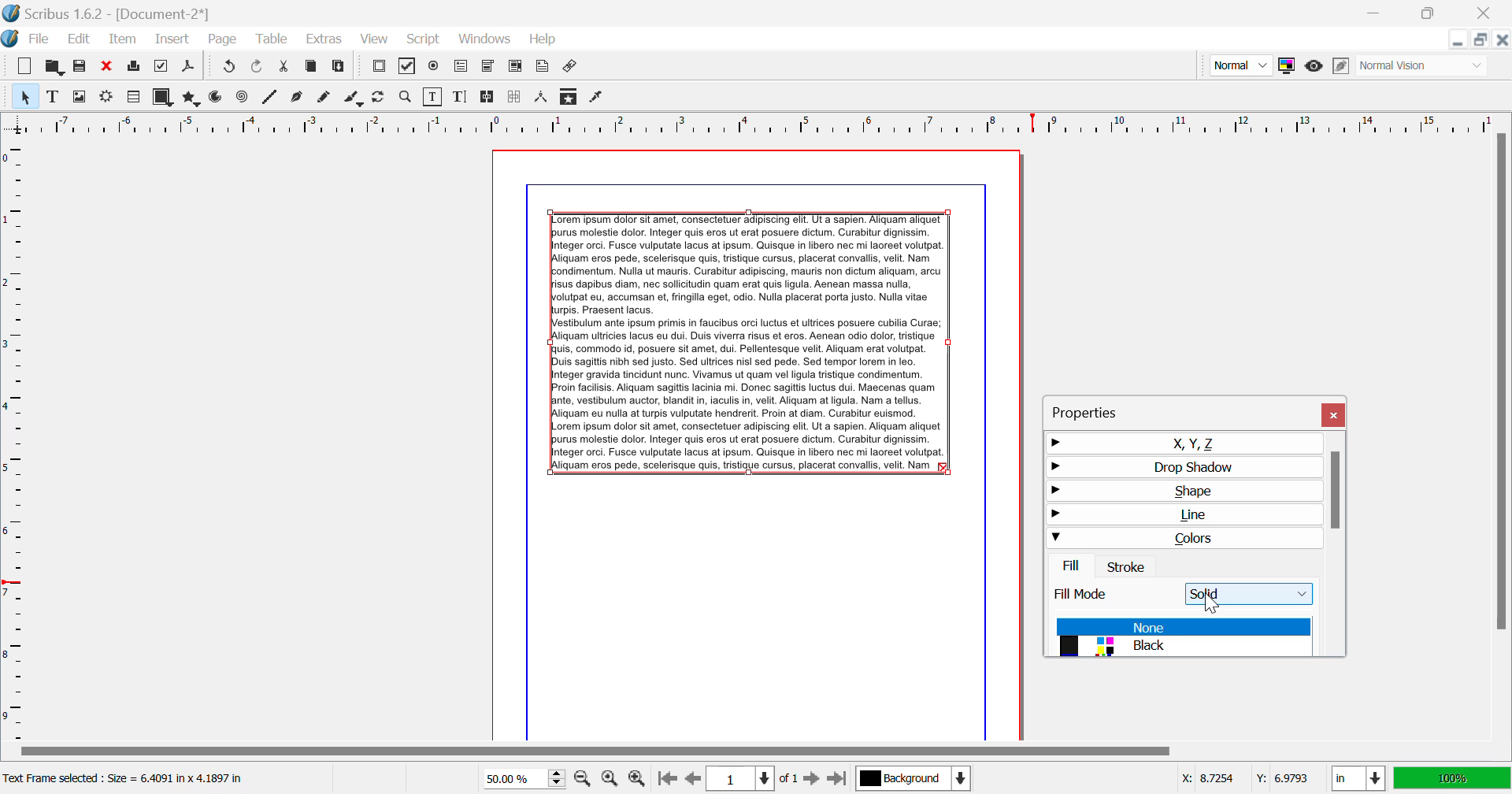  I want to click on Eyedropper, so click(597, 98).